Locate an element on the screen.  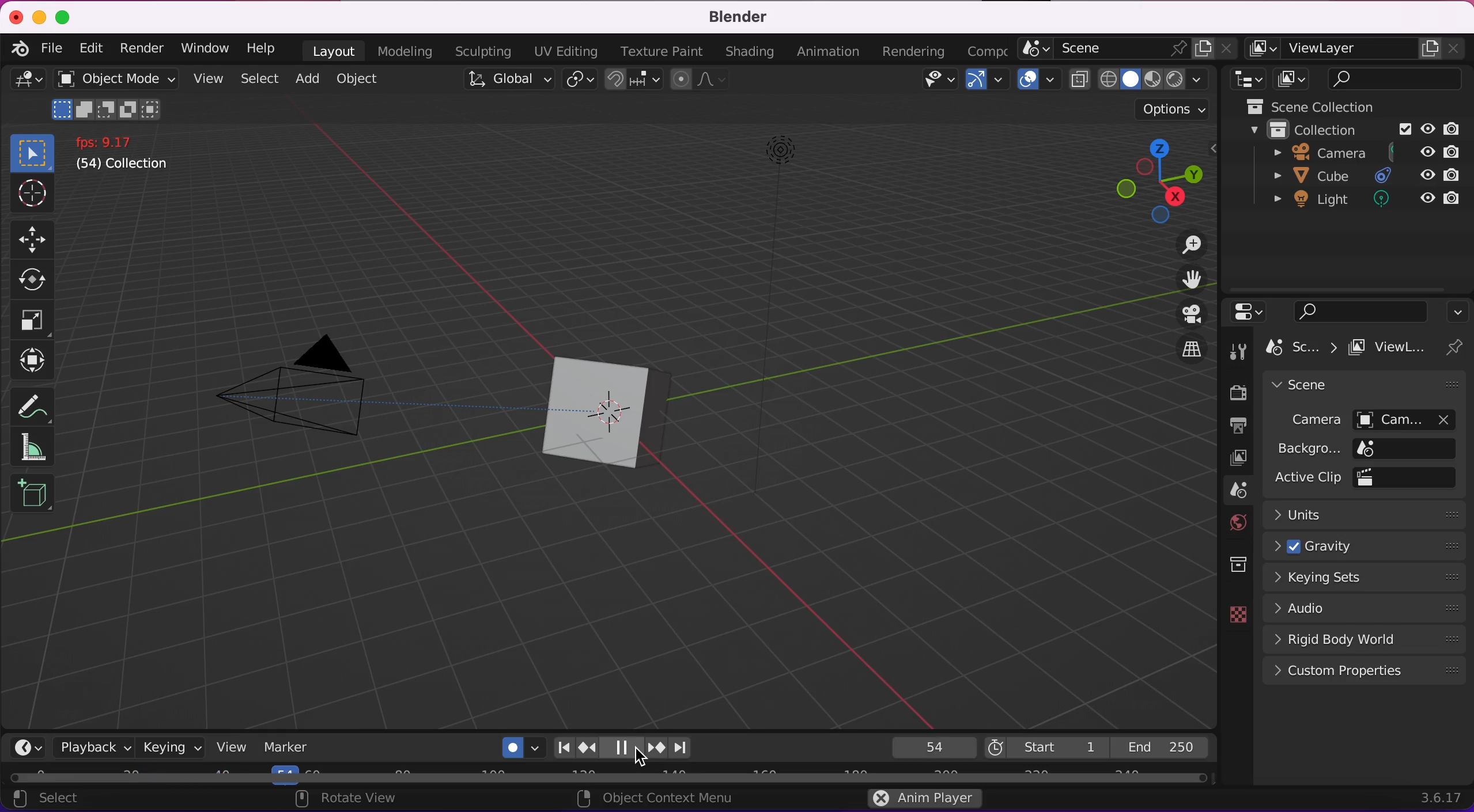
uv editing is located at coordinates (559, 51).